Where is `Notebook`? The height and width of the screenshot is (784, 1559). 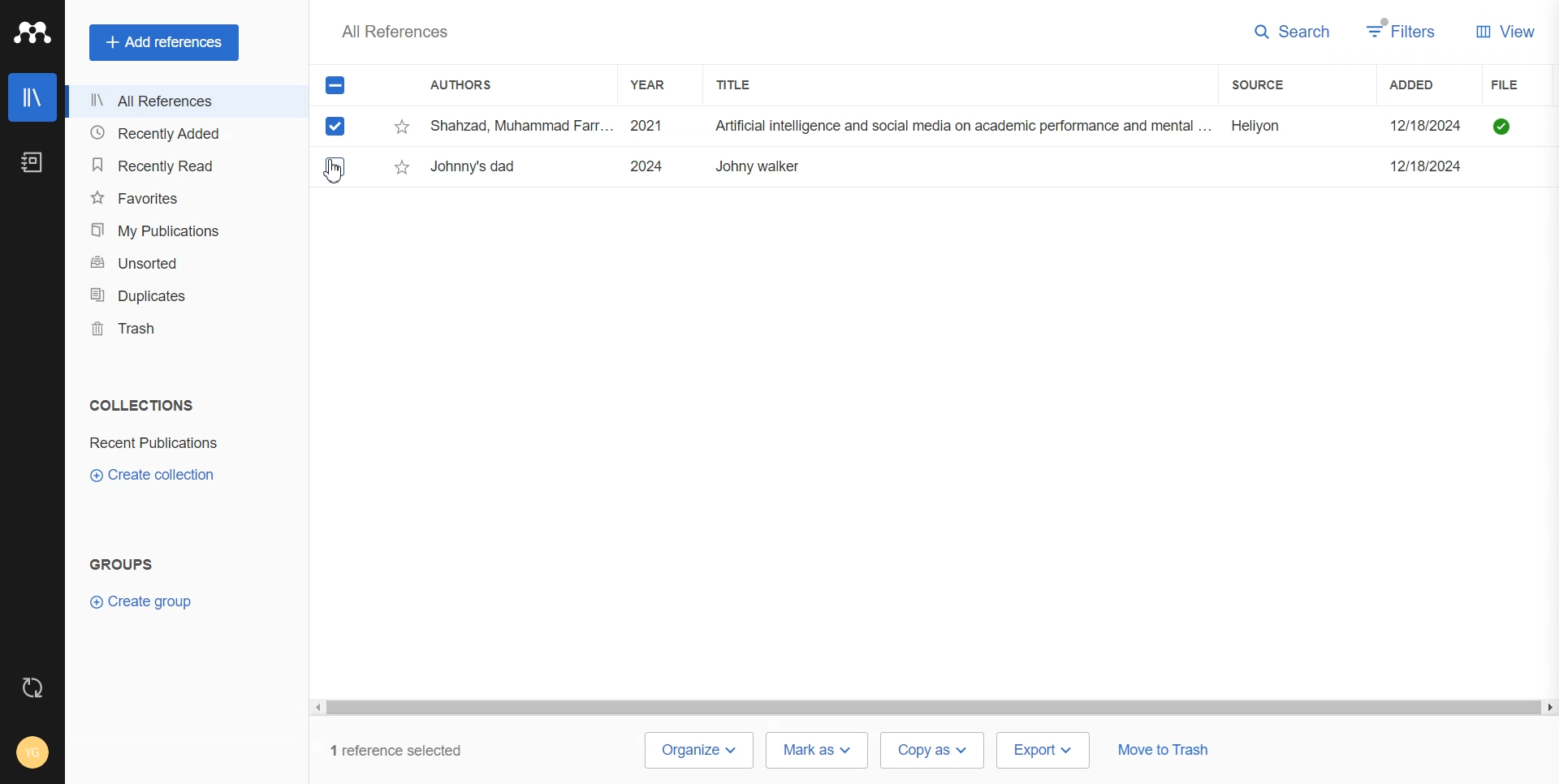 Notebook is located at coordinates (32, 162).